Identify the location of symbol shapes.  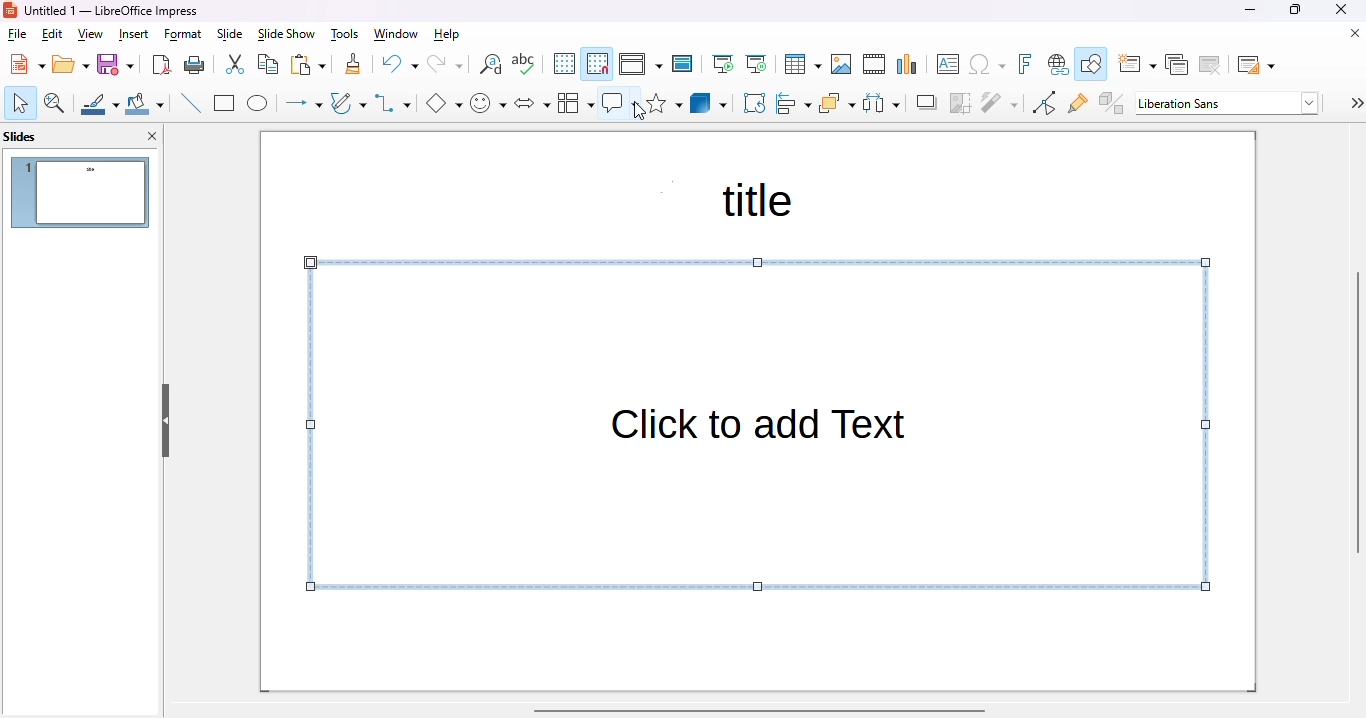
(488, 103).